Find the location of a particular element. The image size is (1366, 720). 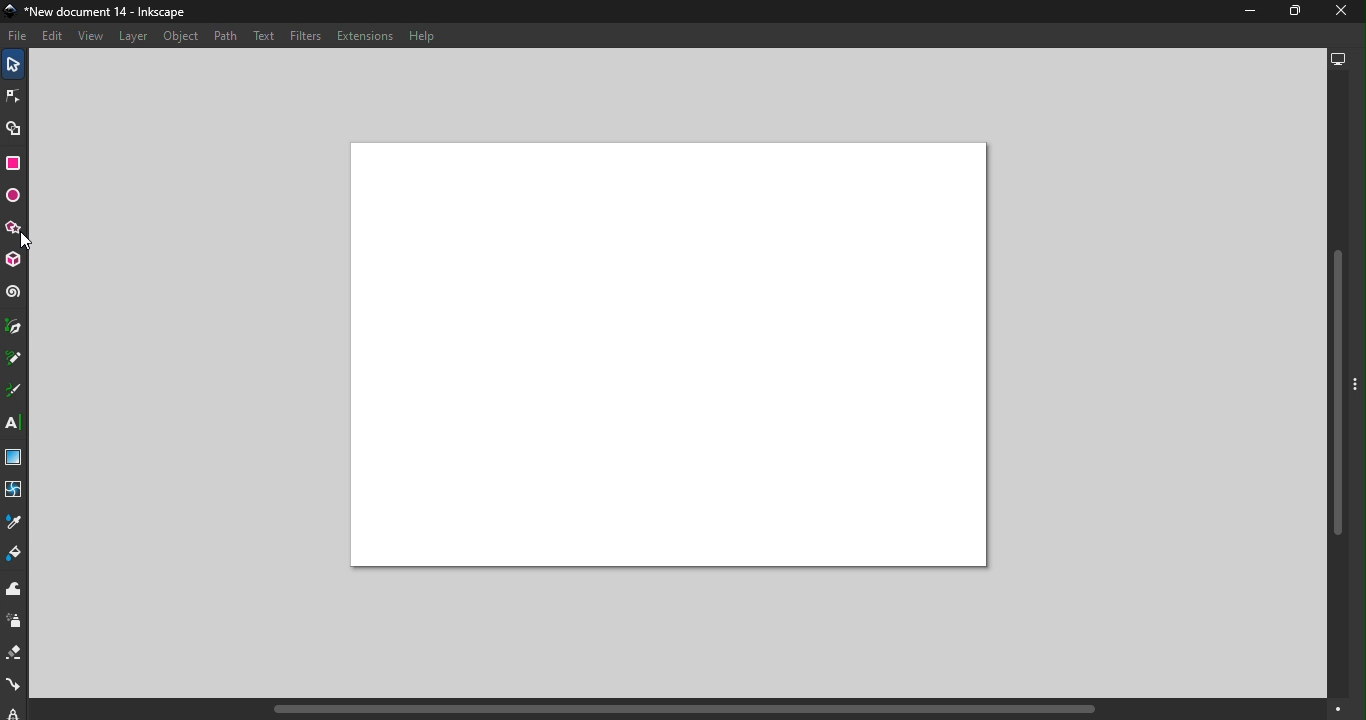

File name is located at coordinates (102, 13).